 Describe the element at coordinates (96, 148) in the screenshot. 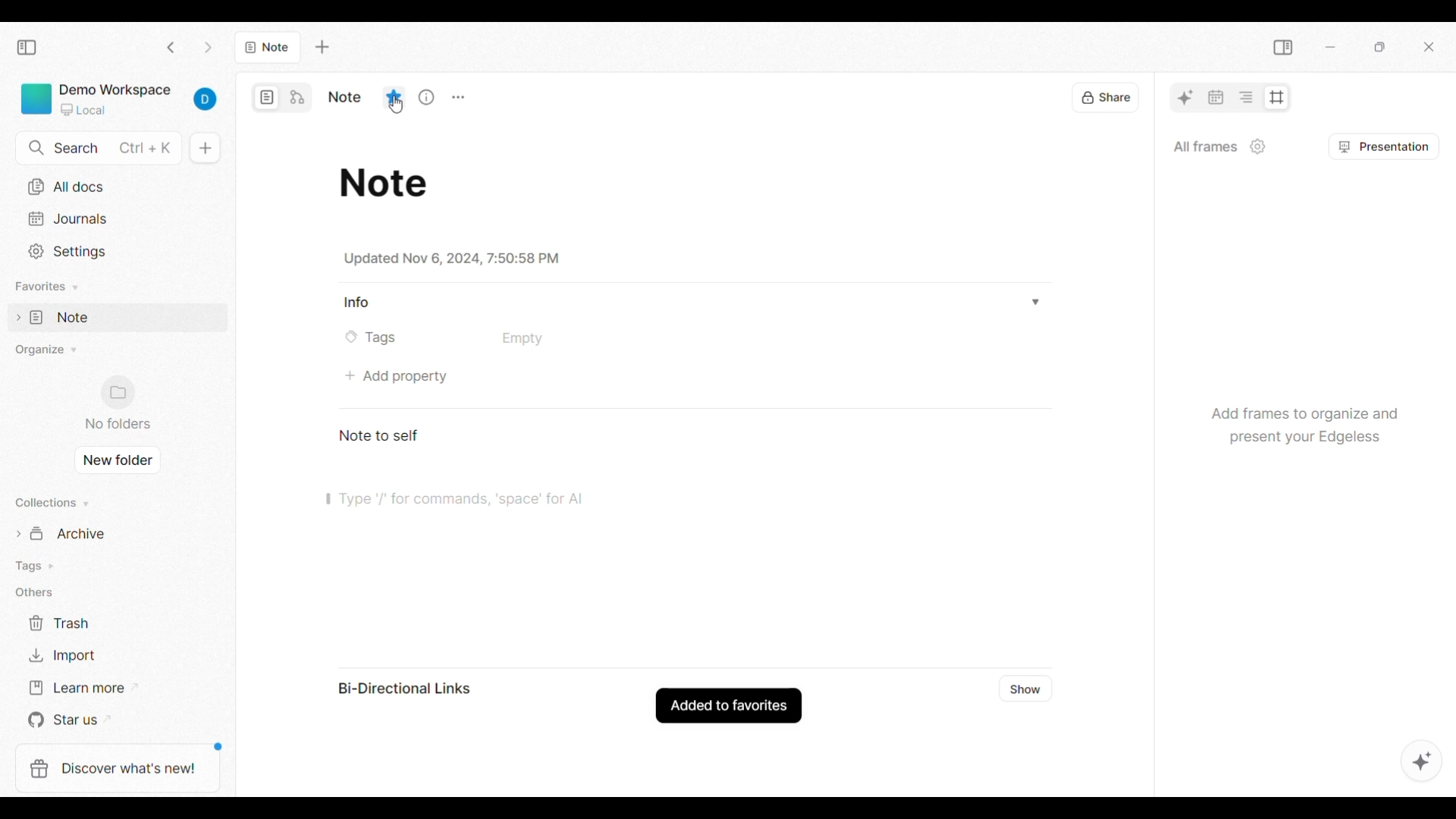

I see `Quick search` at that location.